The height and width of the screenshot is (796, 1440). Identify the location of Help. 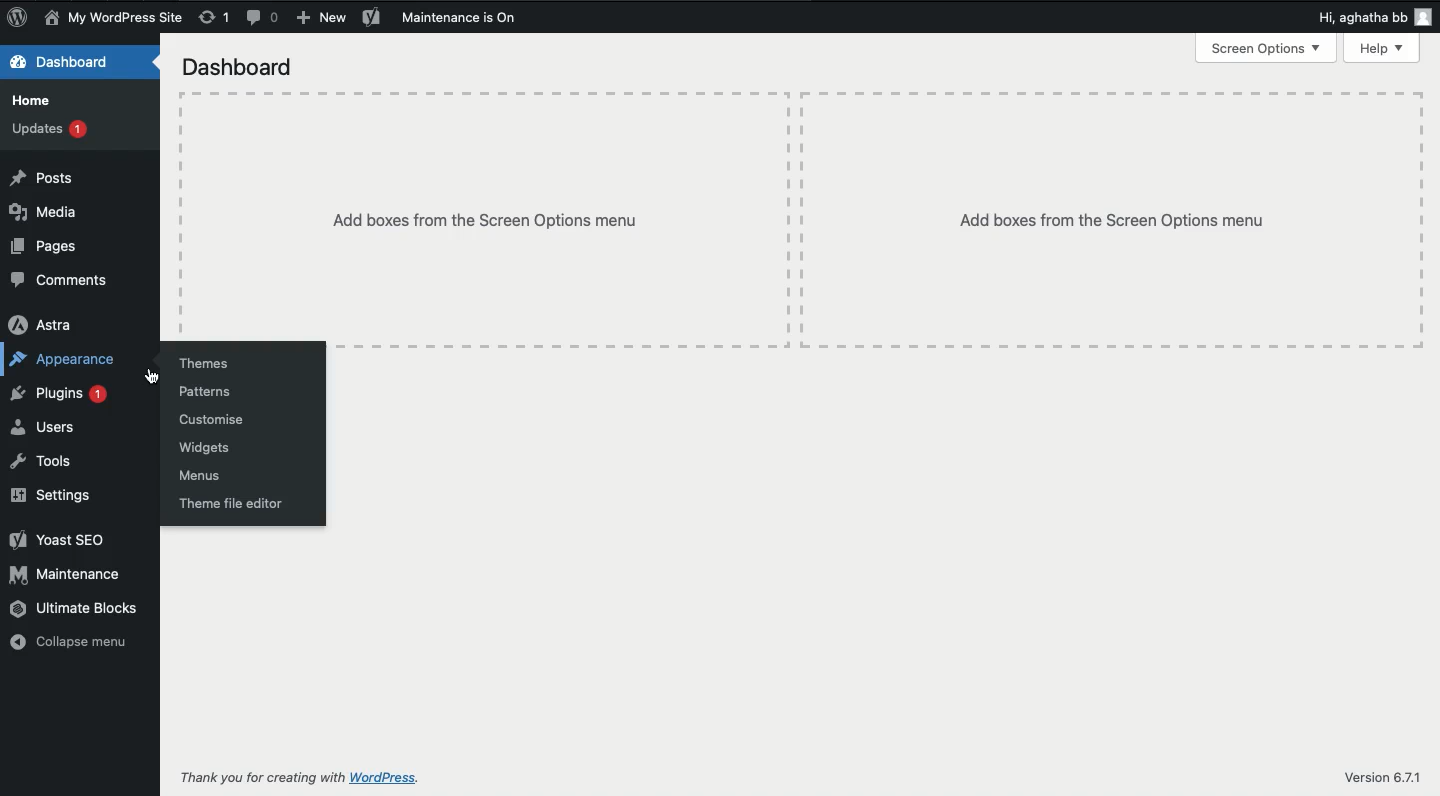
(1381, 48).